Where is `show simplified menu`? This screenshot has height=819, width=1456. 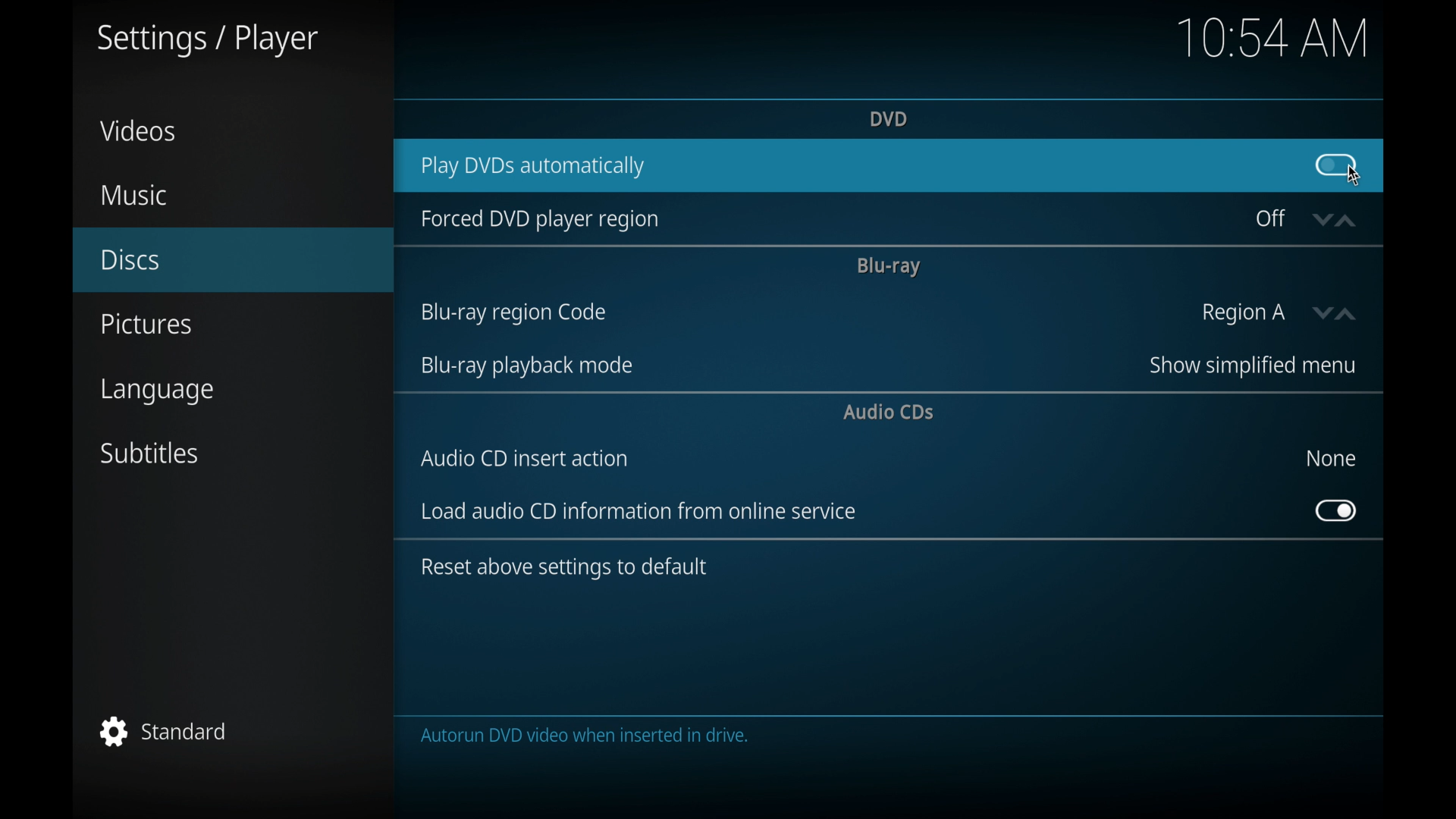 show simplified menu is located at coordinates (1250, 366).